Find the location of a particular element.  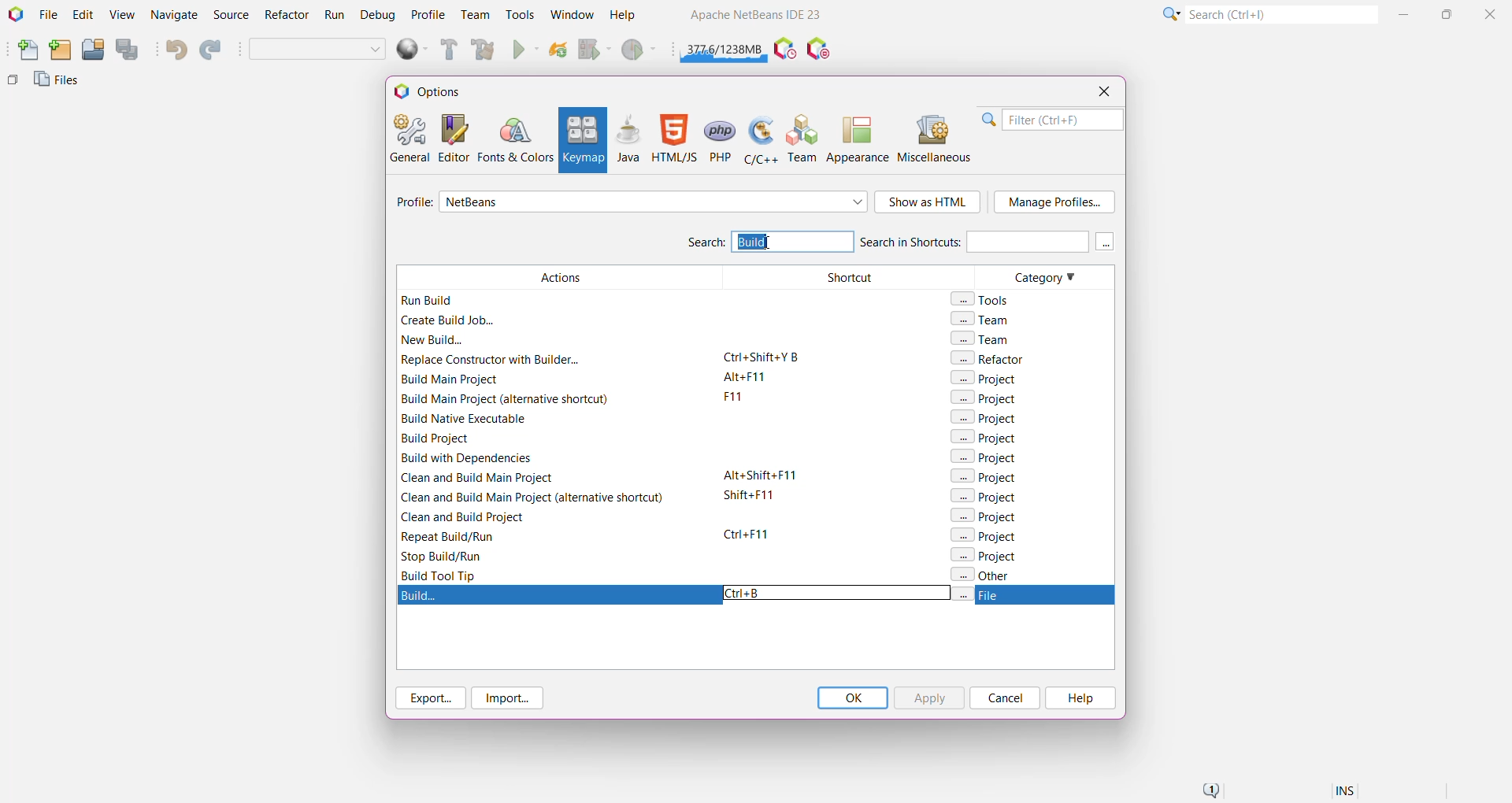

Help is located at coordinates (630, 17).